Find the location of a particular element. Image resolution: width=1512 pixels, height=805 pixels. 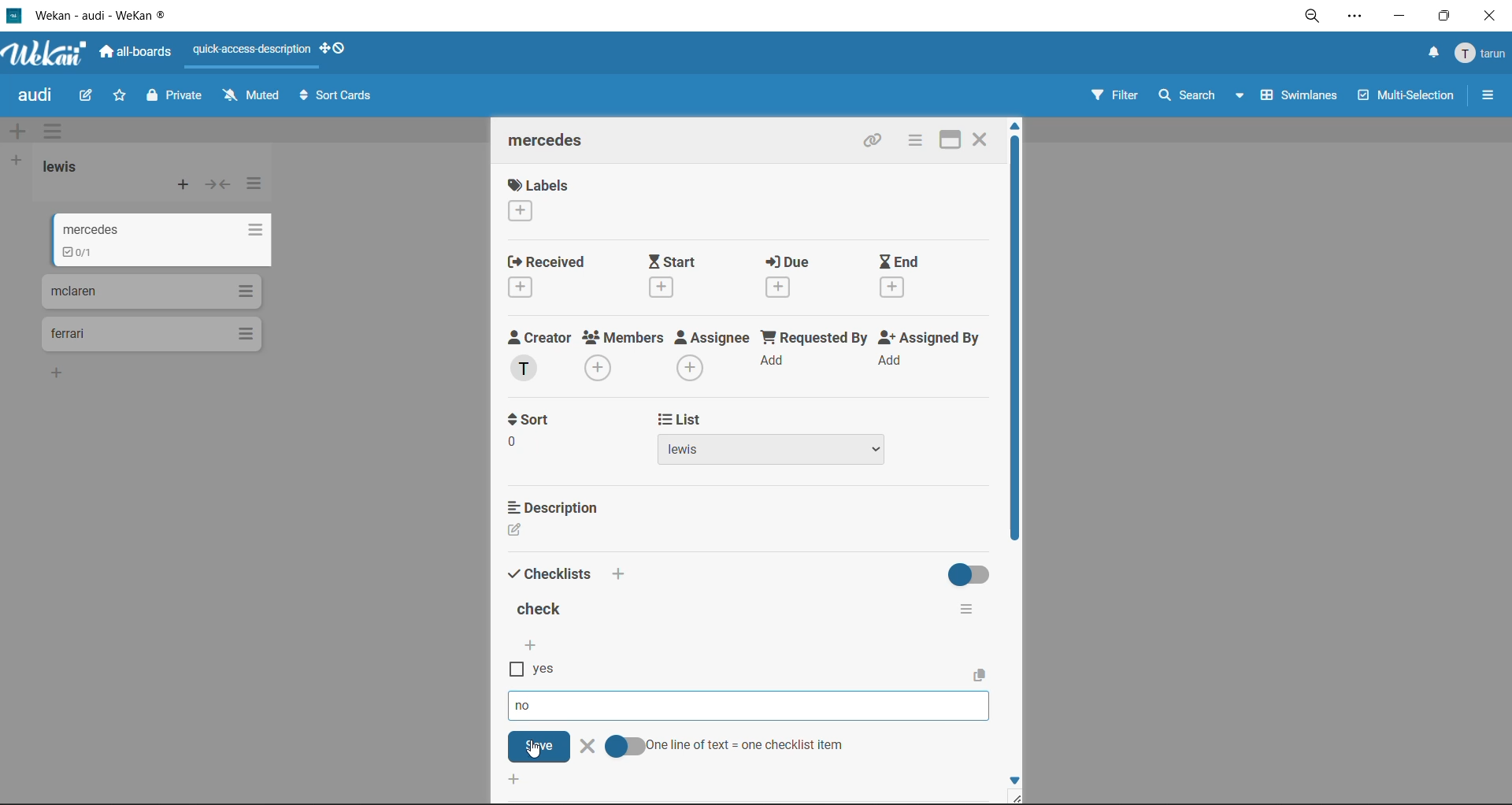

all boards is located at coordinates (141, 54).